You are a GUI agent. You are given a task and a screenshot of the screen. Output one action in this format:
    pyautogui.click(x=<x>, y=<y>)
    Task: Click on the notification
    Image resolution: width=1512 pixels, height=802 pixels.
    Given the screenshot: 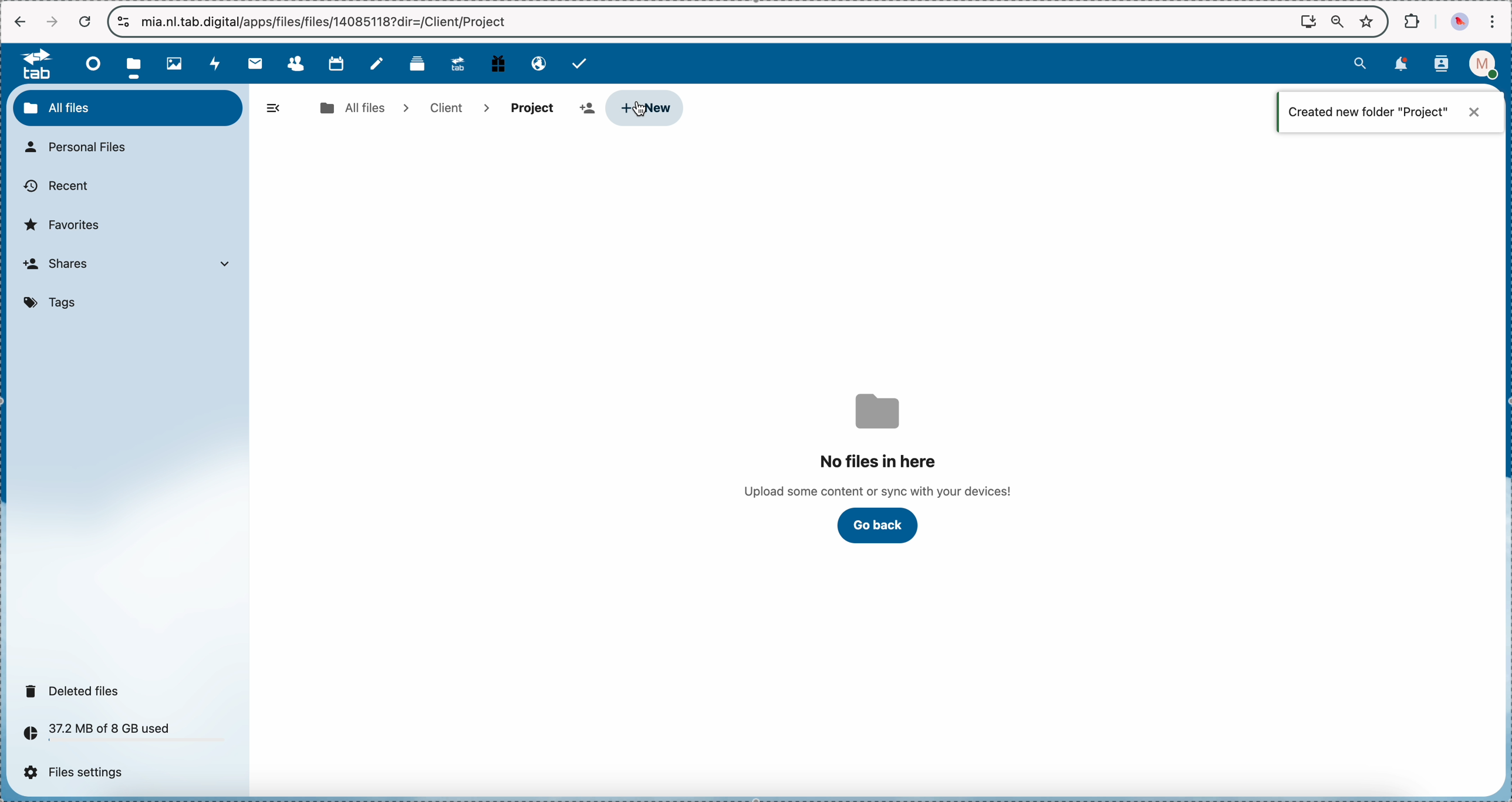 What is the action you would take?
    pyautogui.click(x=1389, y=112)
    